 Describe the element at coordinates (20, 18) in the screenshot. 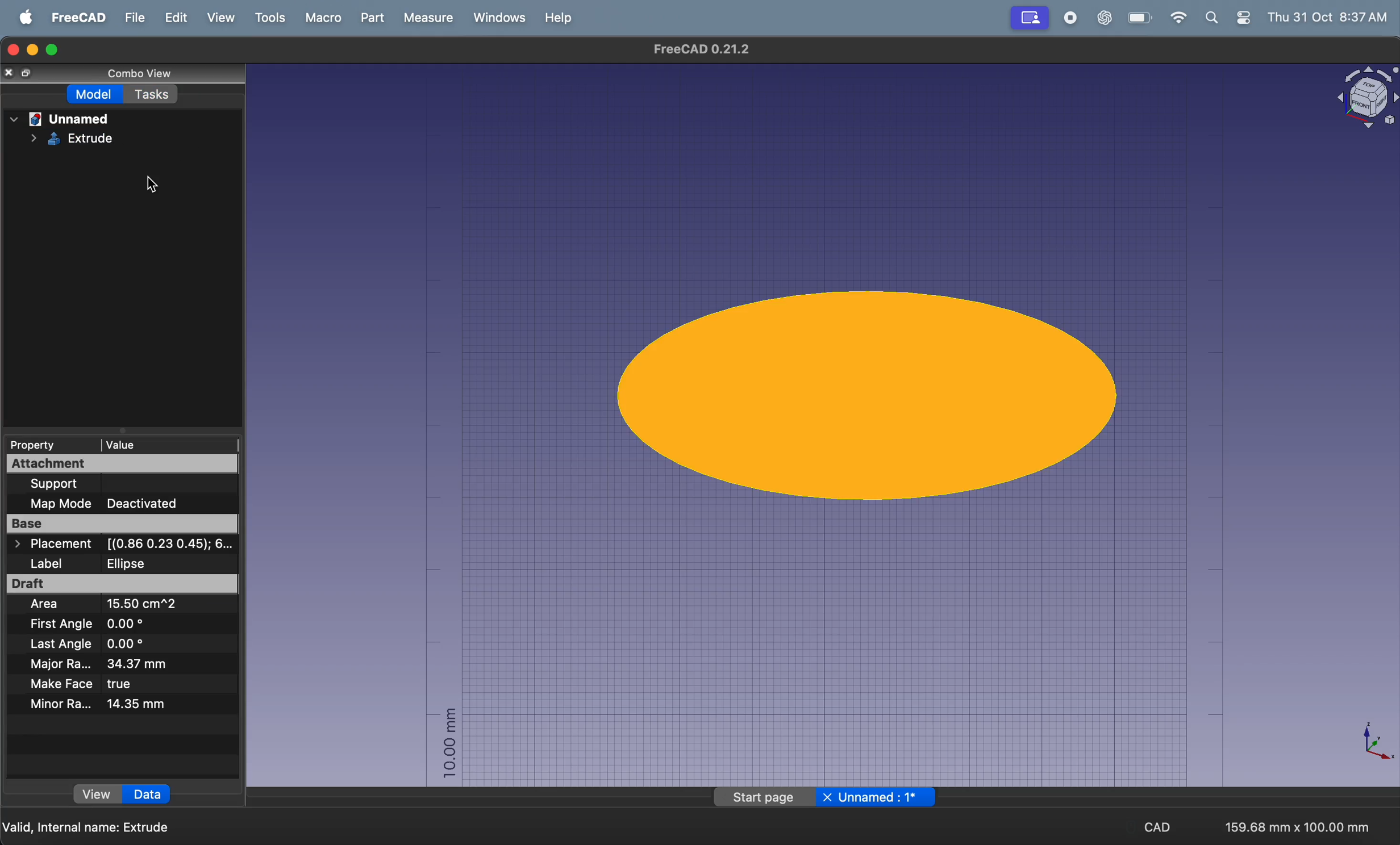

I see `apple menu` at that location.